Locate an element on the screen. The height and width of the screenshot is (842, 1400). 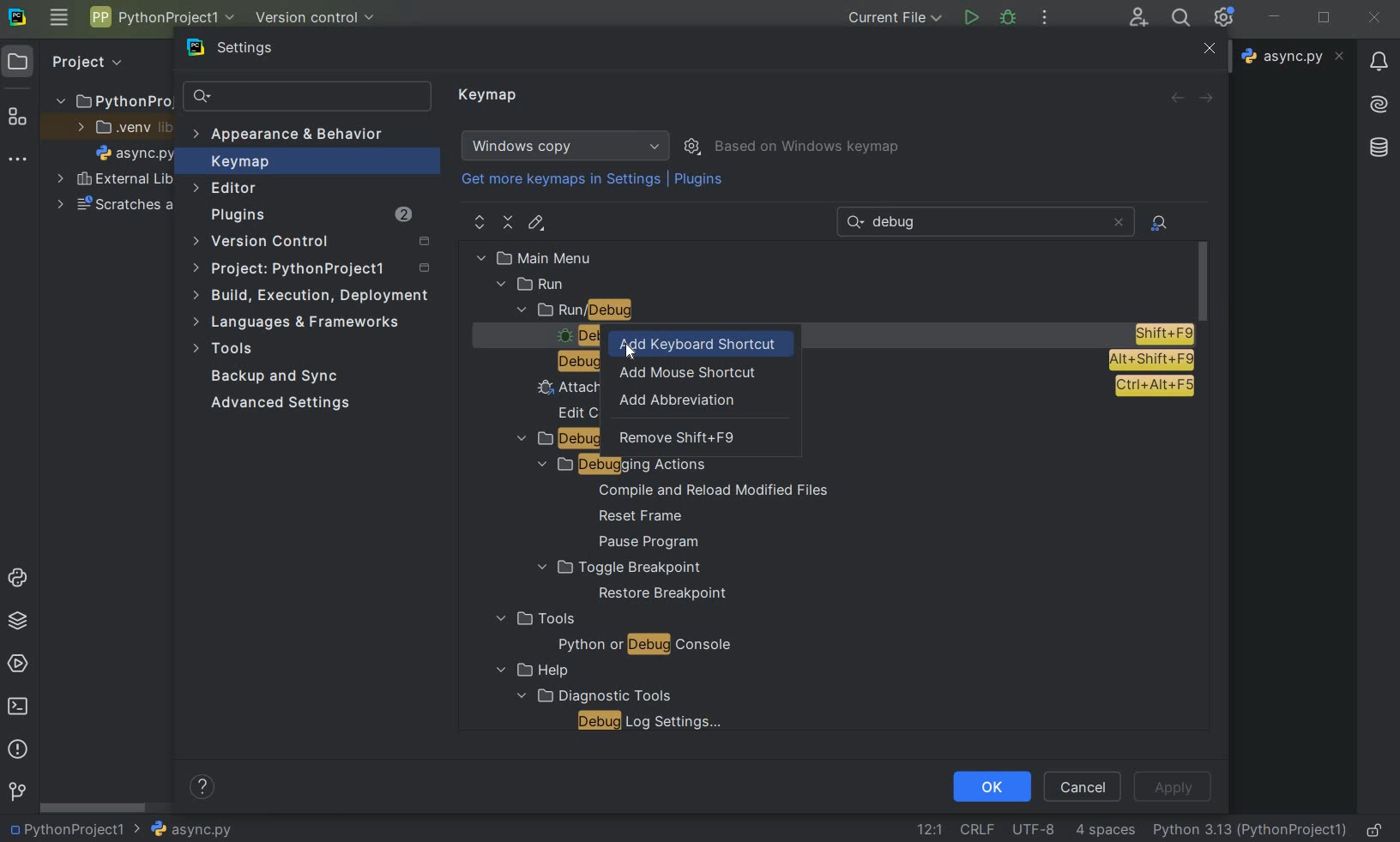
build, execution, deployment is located at coordinates (312, 295).